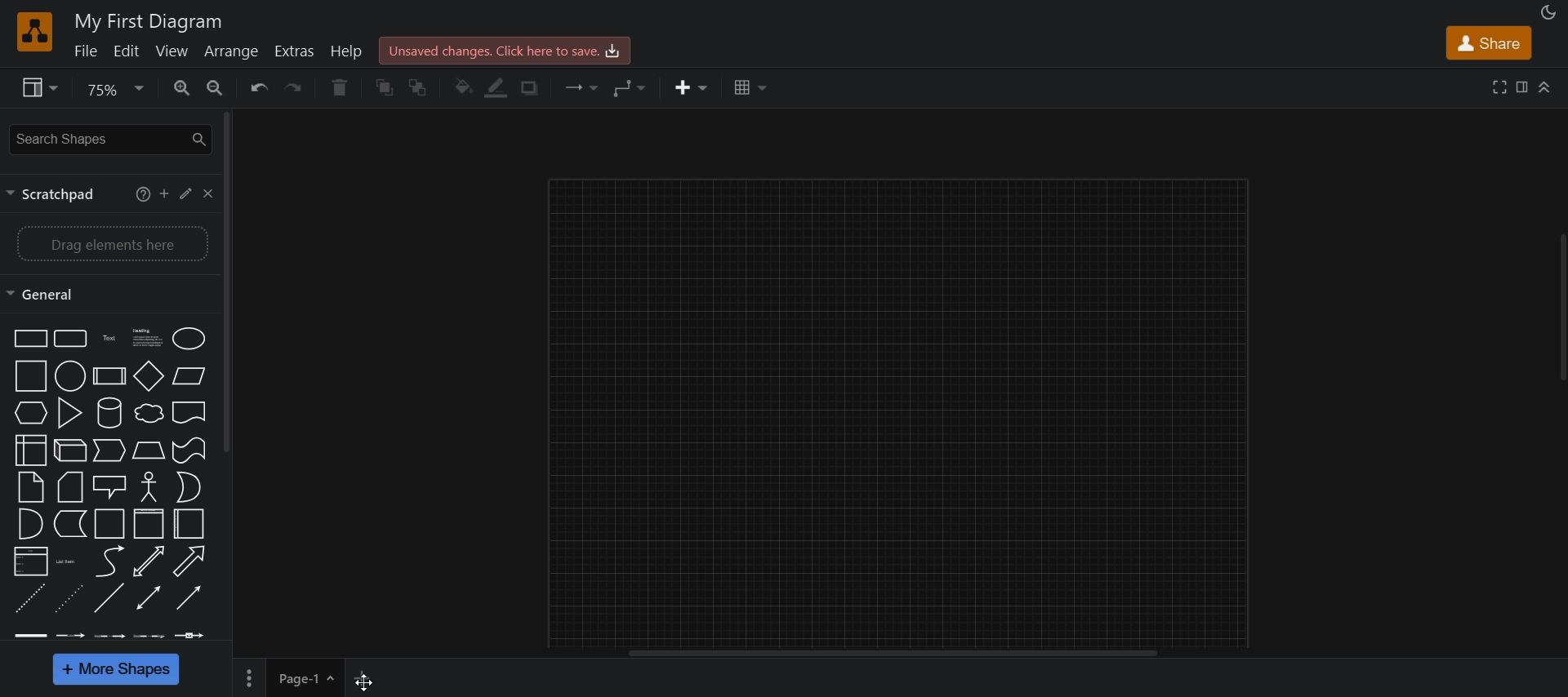 Image resolution: width=1568 pixels, height=697 pixels. What do you see at coordinates (57, 193) in the screenshot?
I see `scratchpad` at bounding box center [57, 193].